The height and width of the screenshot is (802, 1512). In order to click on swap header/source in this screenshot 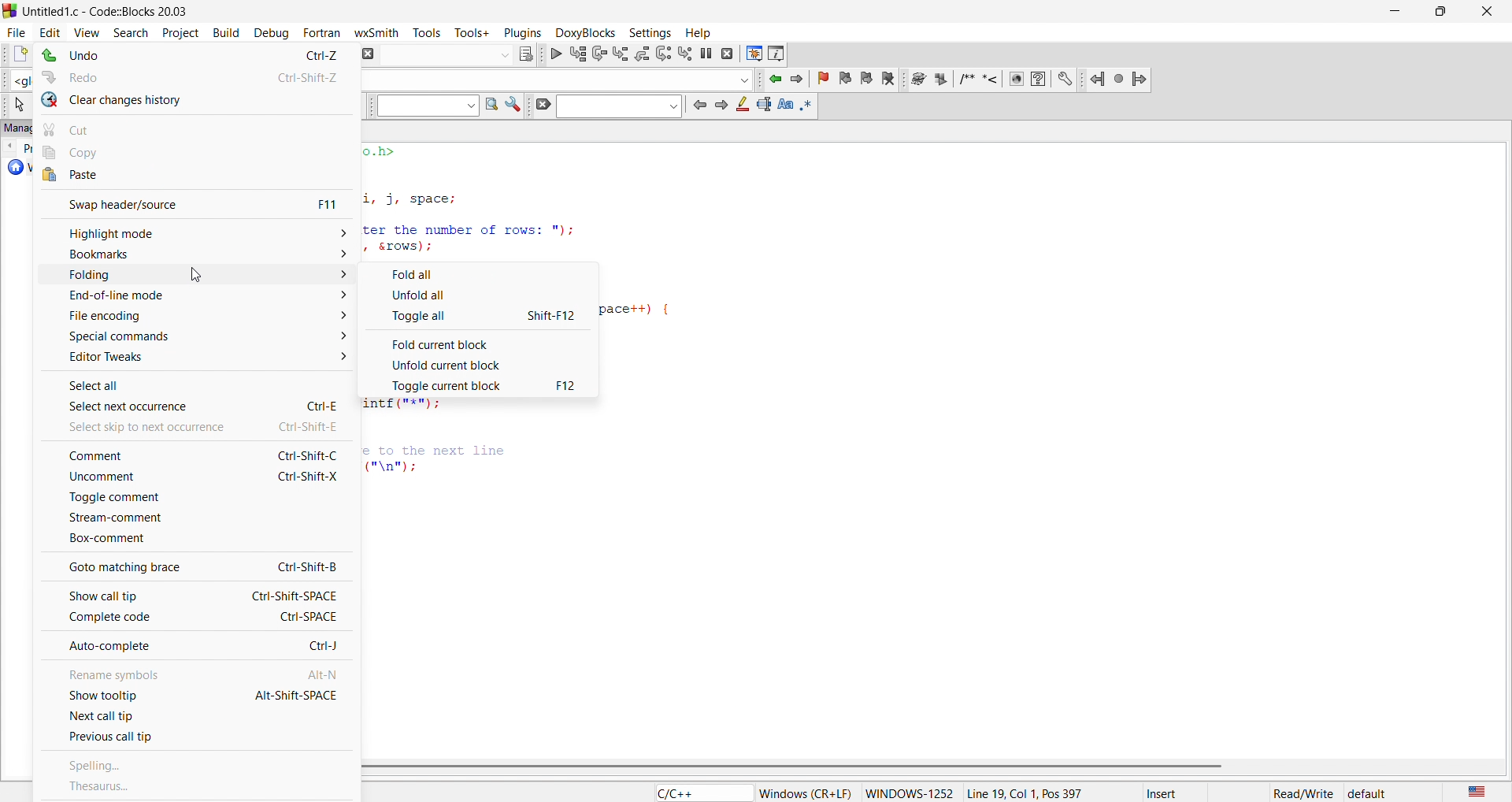, I will do `click(192, 202)`.